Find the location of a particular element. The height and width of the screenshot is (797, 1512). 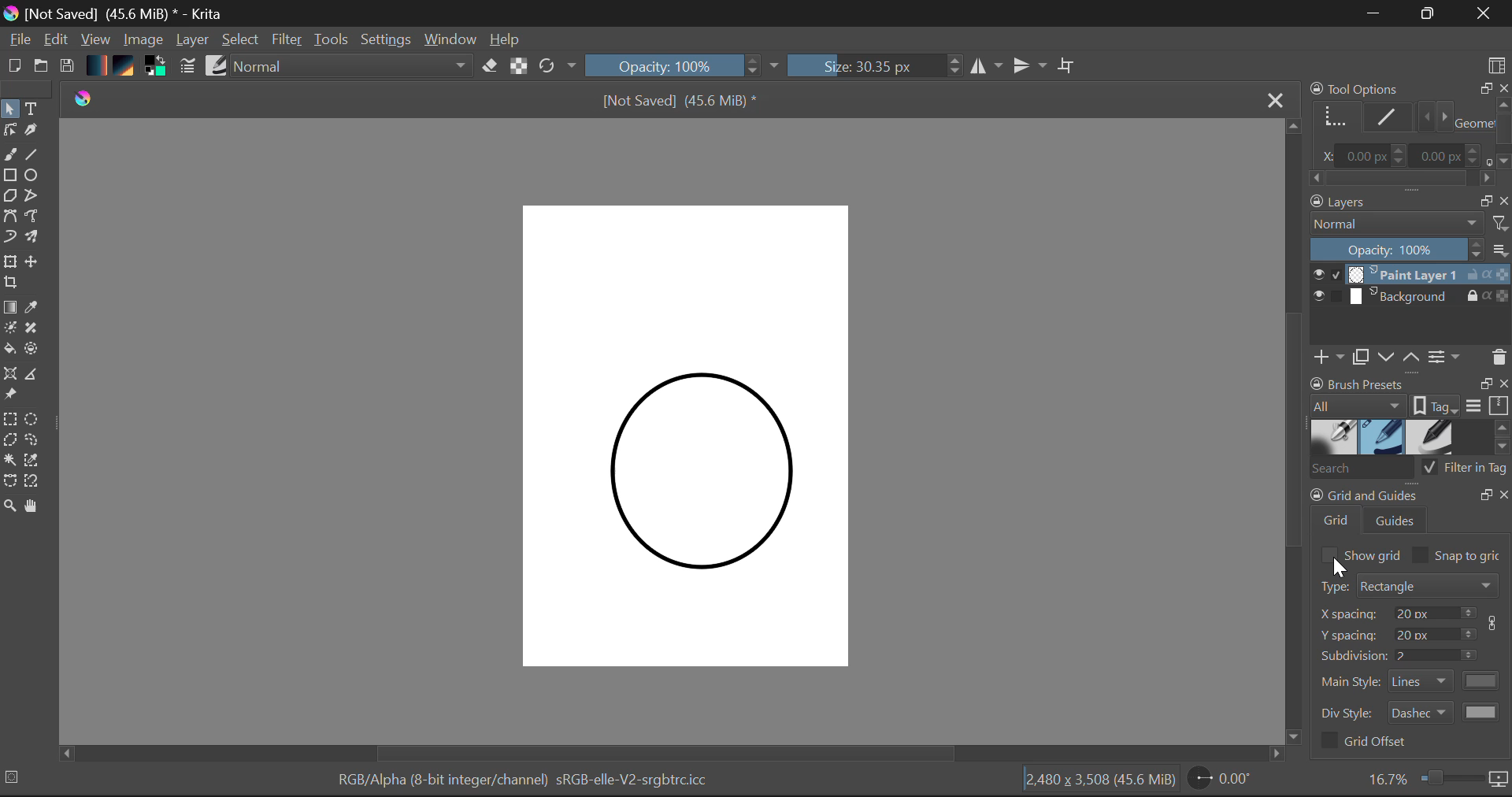

Close is located at coordinates (1275, 99).